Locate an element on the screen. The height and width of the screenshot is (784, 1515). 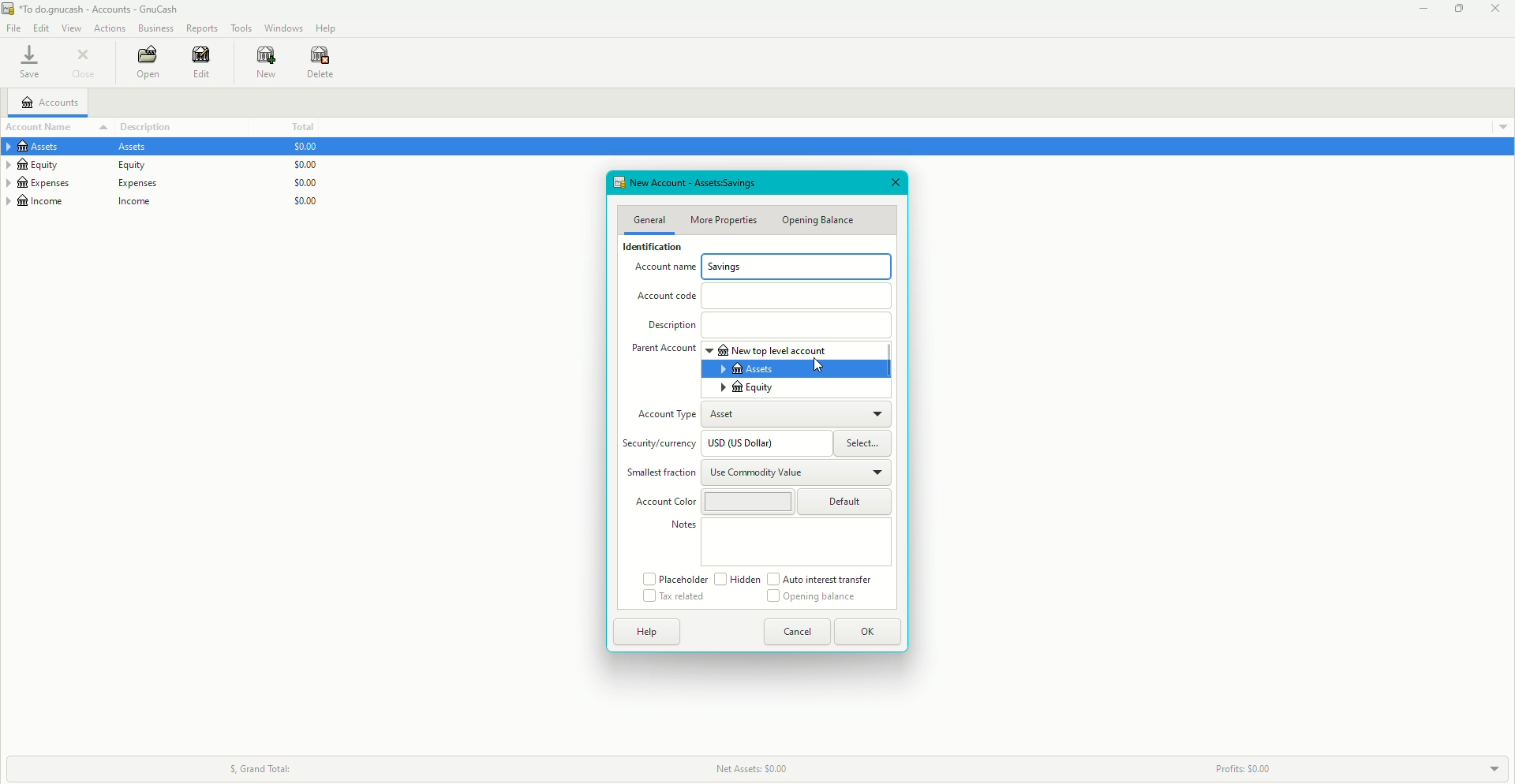
Restore is located at coordinates (1457, 9).